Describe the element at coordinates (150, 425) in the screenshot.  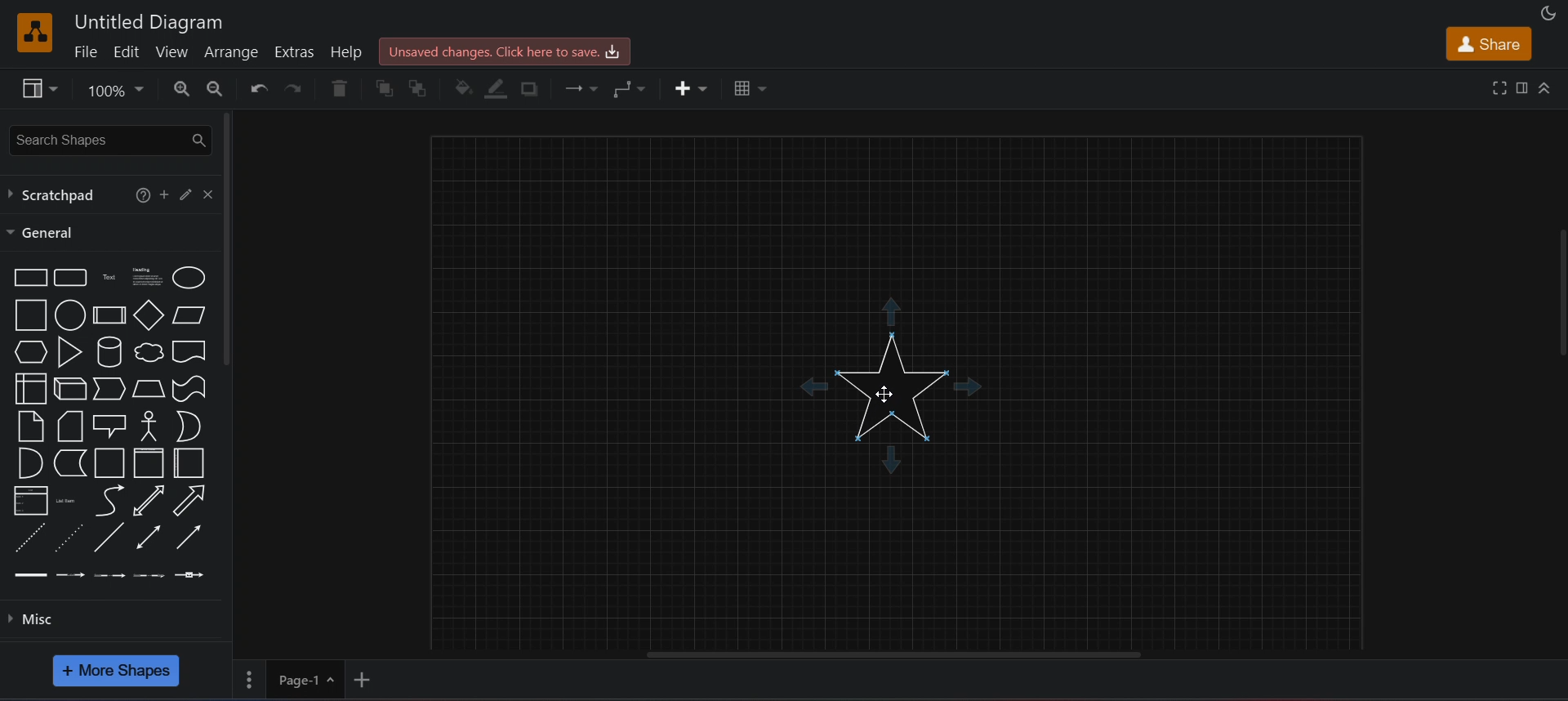
I see `actor` at that location.